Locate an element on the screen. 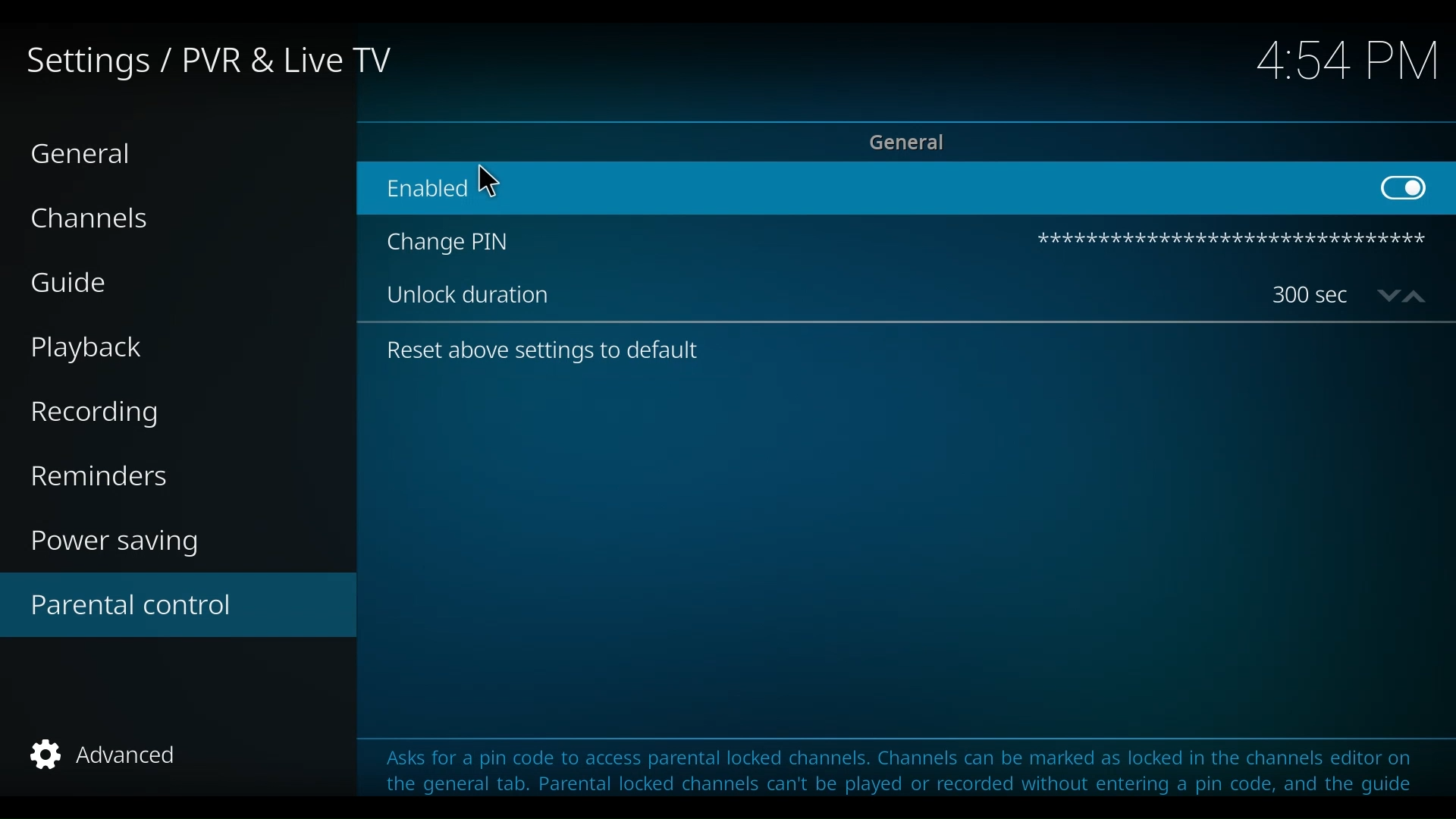 This screenshot has width=1456, height=819. Advanced is located at coordinates (105, 755).